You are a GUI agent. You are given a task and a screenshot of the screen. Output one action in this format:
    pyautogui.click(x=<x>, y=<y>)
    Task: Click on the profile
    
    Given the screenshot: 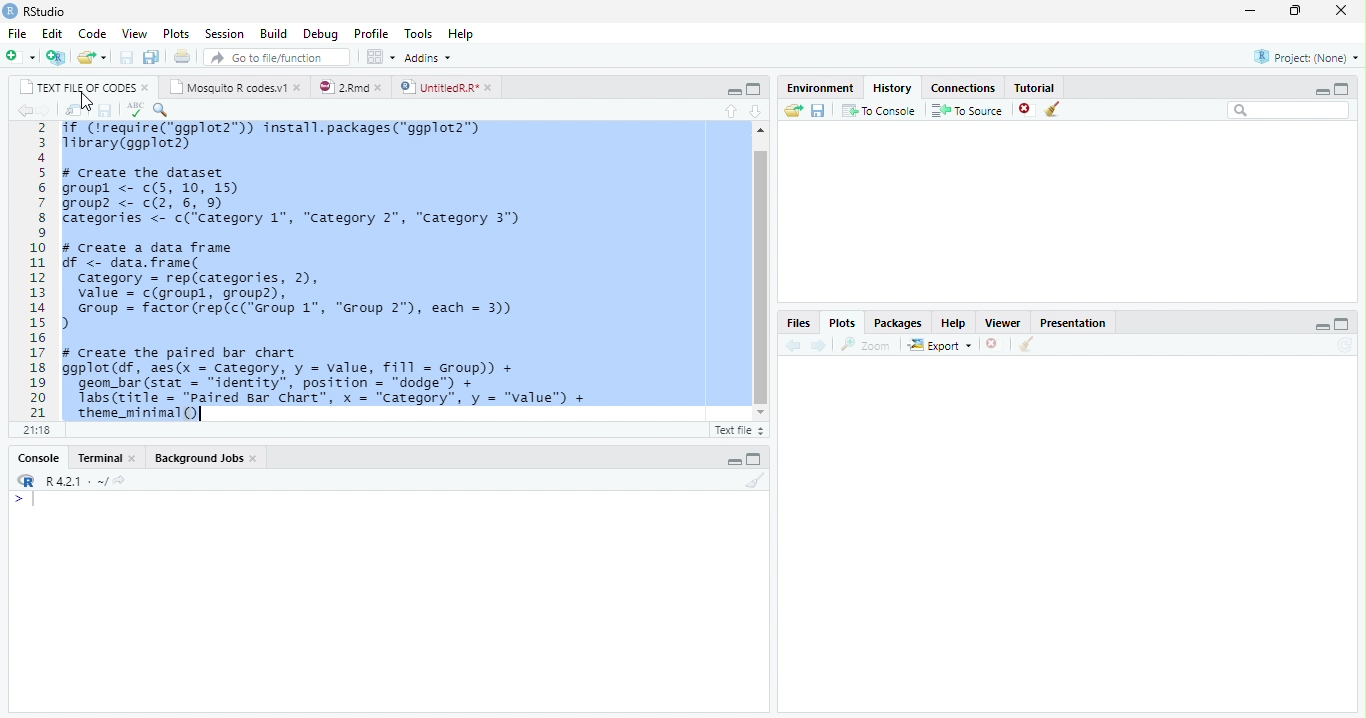 What is the action you would take?
    pyautogui.click(x=370, y=32)
    